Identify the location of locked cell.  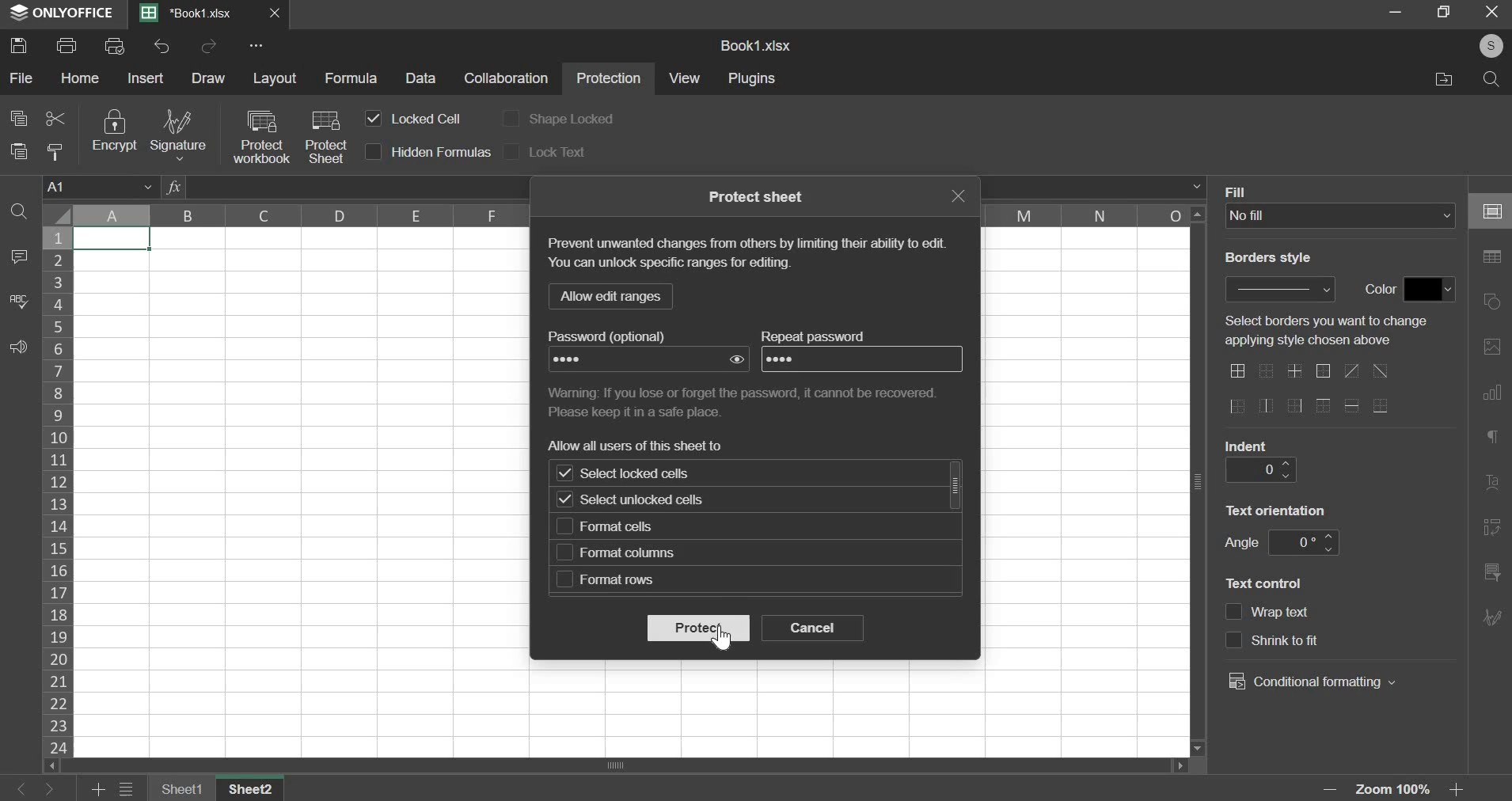
(424, 118).